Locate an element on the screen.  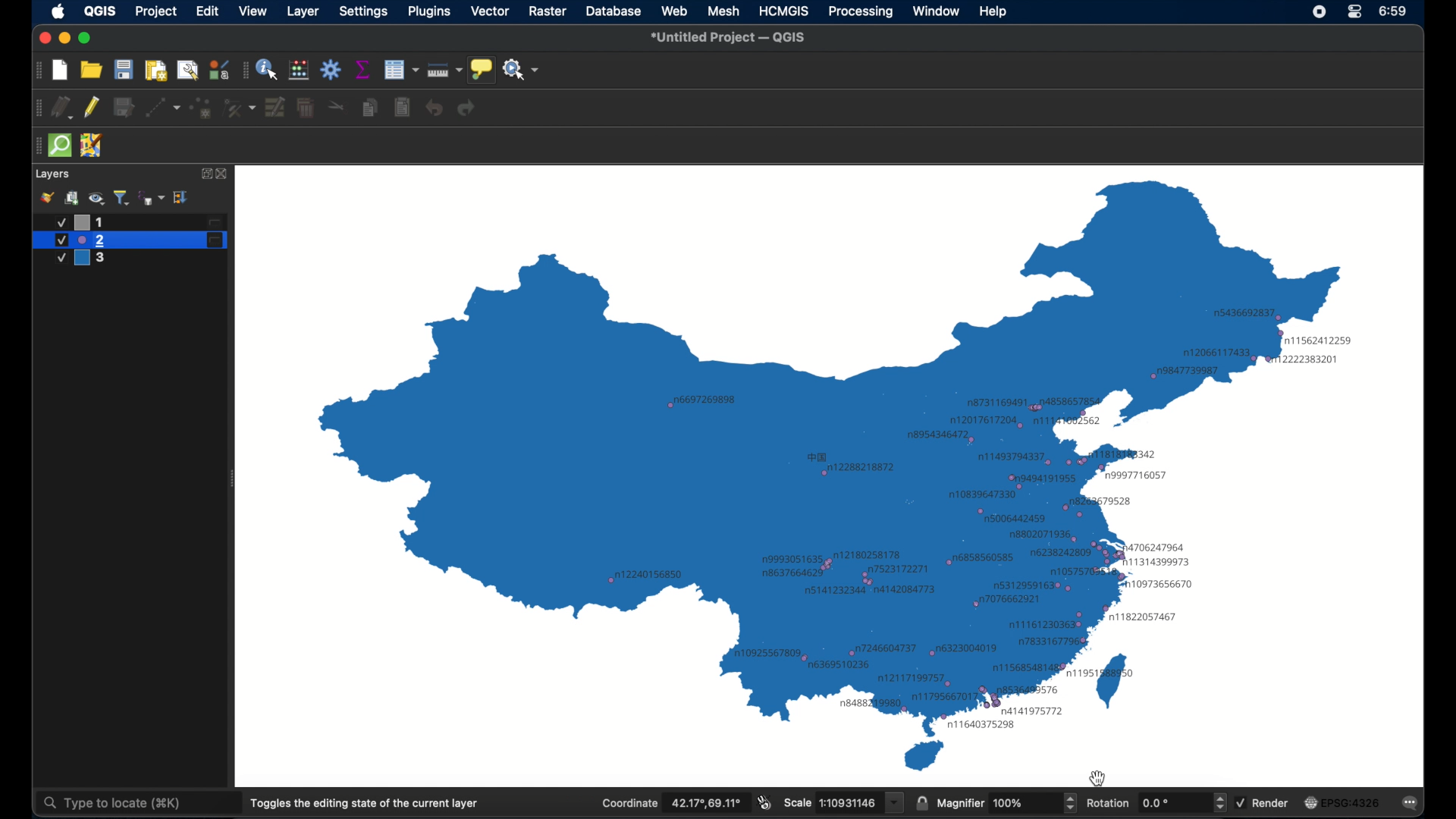
close is located at coordinates (42, 39).